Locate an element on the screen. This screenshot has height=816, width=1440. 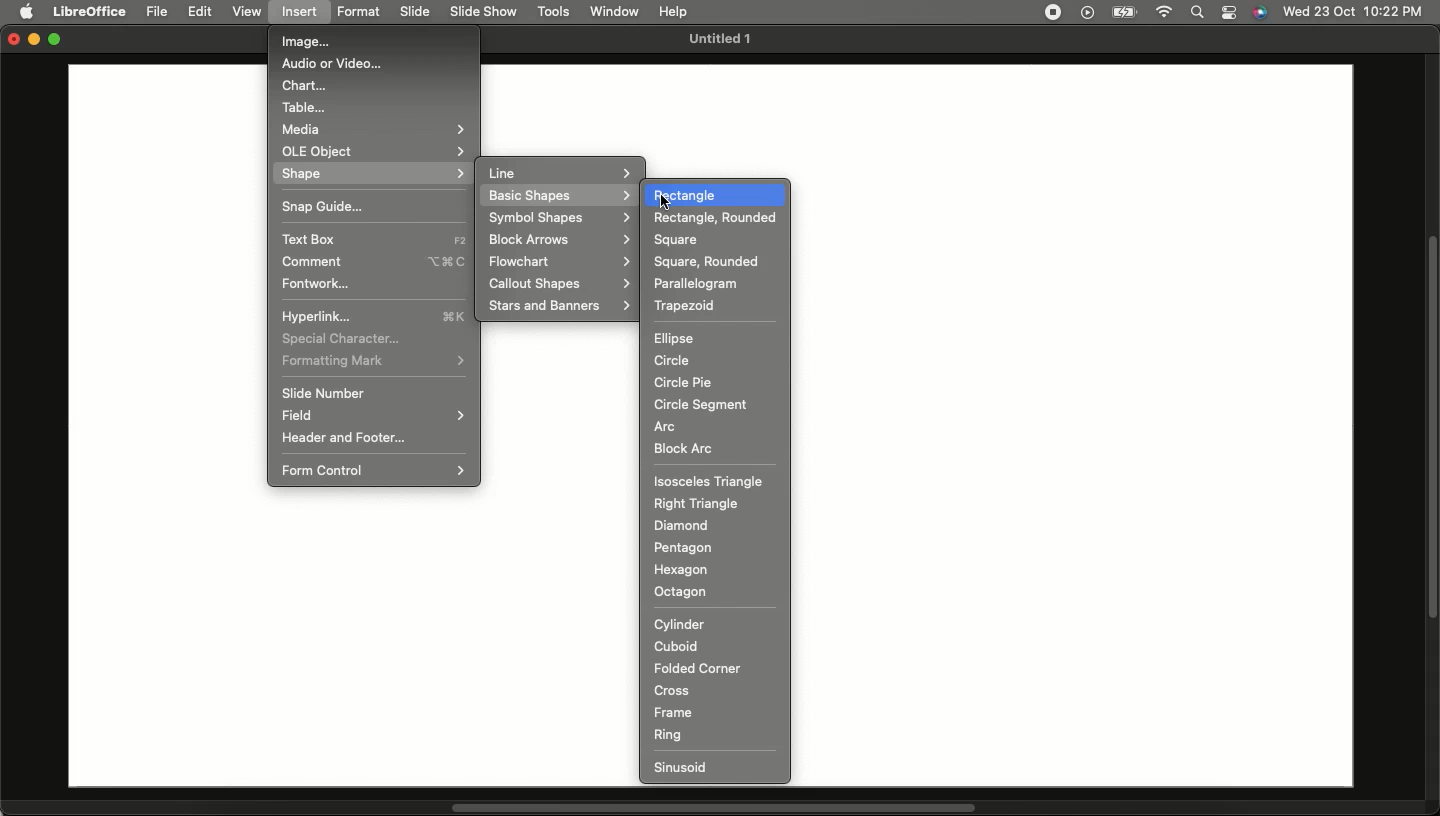
Snap guide is located at coordinates (321, 205).